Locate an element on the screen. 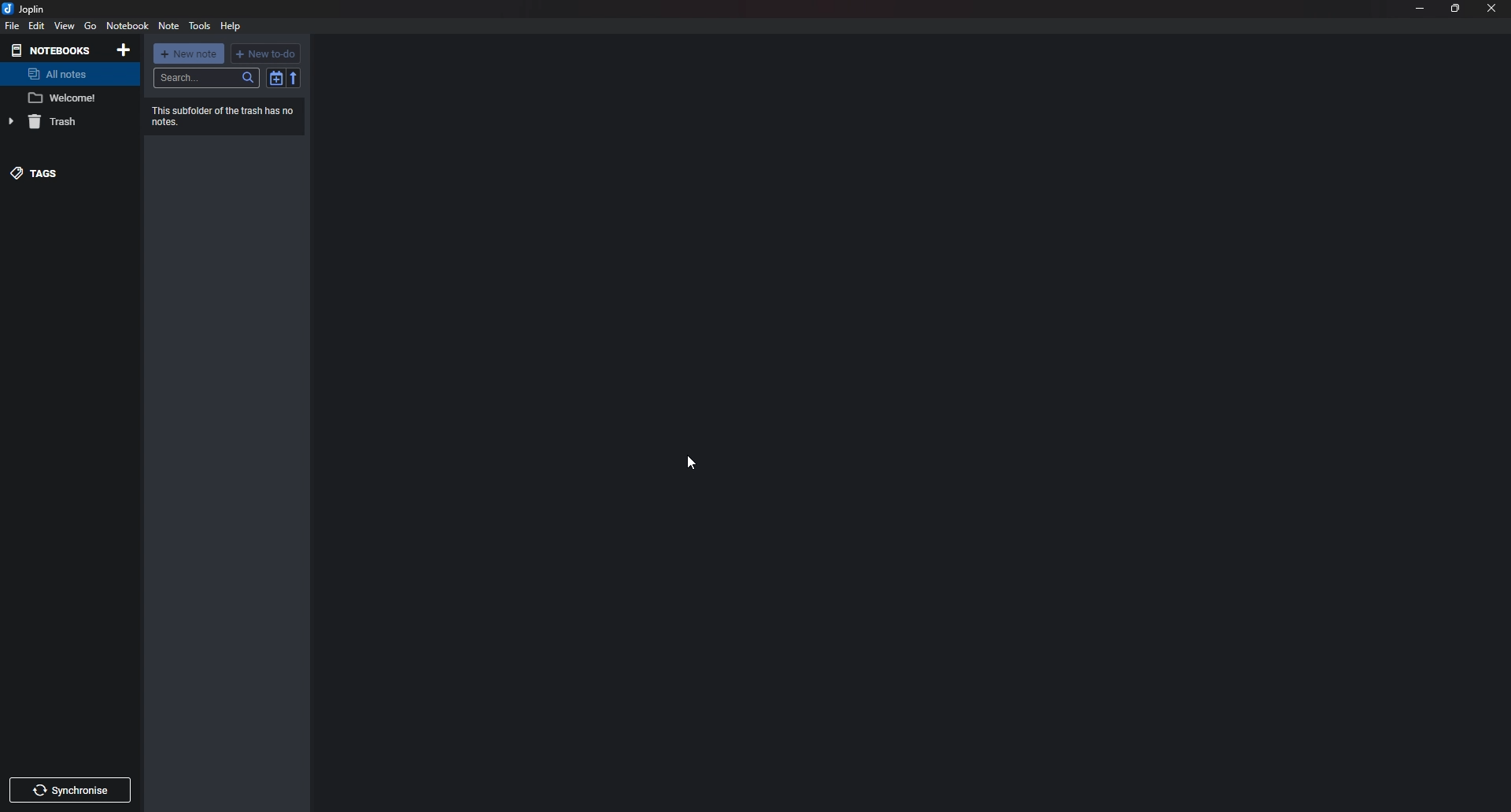 The image size is (1511, 812). help is located at coordinates (230, 27).